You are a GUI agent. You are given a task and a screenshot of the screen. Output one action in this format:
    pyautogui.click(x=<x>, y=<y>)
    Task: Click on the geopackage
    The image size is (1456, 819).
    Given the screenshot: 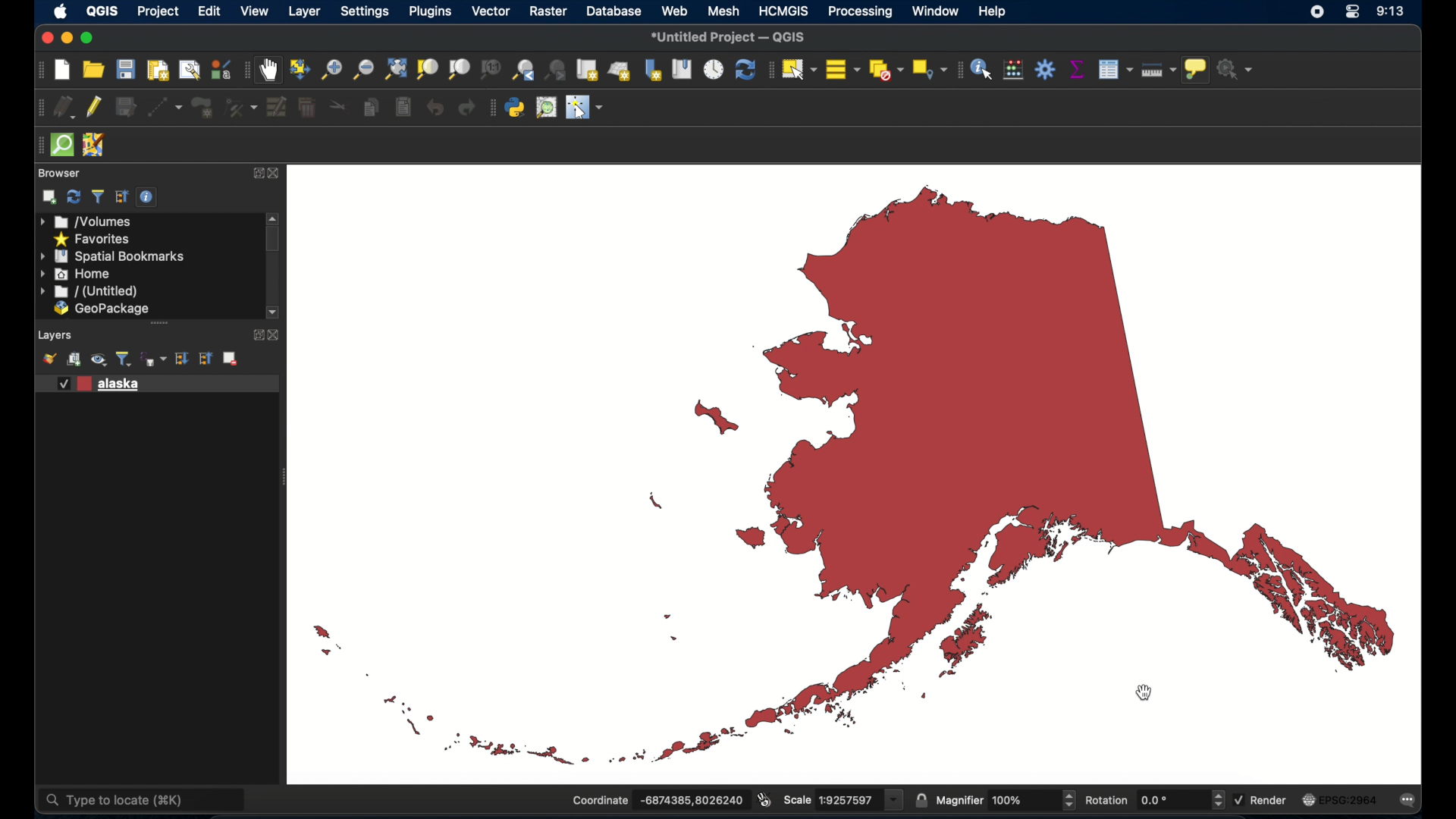 What is the action you would take?
    pyautogui.click(x=102, y=309)
    